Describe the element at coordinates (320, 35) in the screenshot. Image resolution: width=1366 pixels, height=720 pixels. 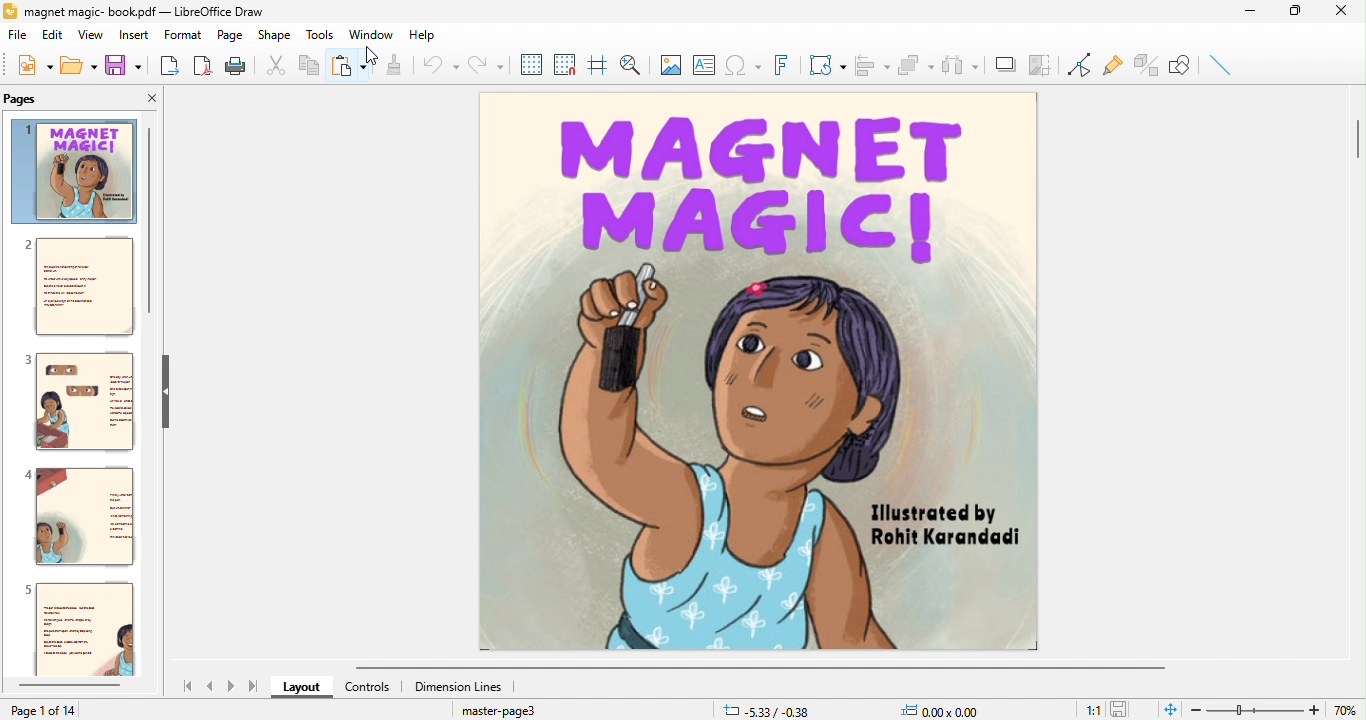
I see `tools` at that location.